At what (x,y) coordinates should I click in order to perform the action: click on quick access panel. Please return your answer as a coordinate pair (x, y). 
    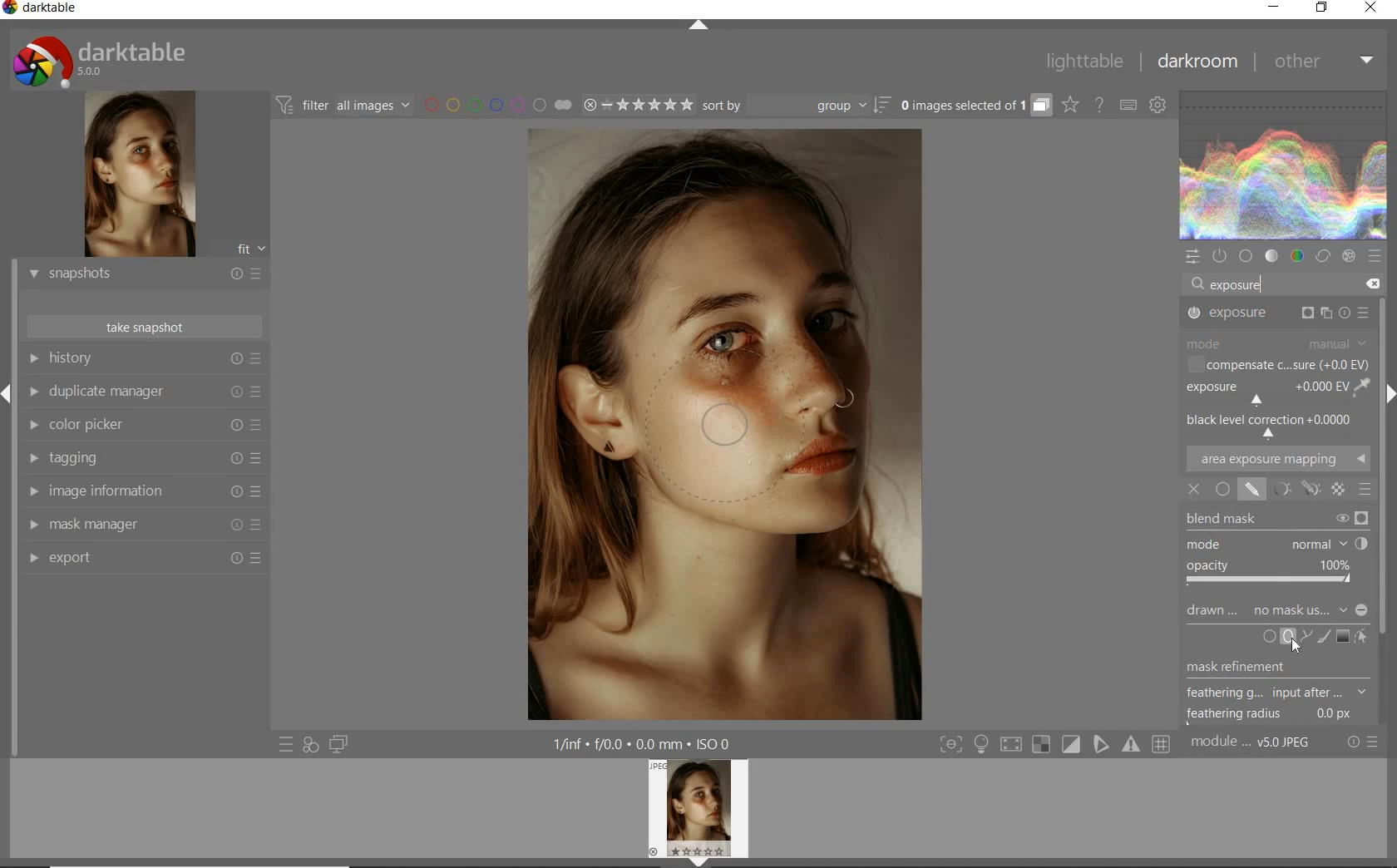
    Looking at the image, I should click on (1191, 257).